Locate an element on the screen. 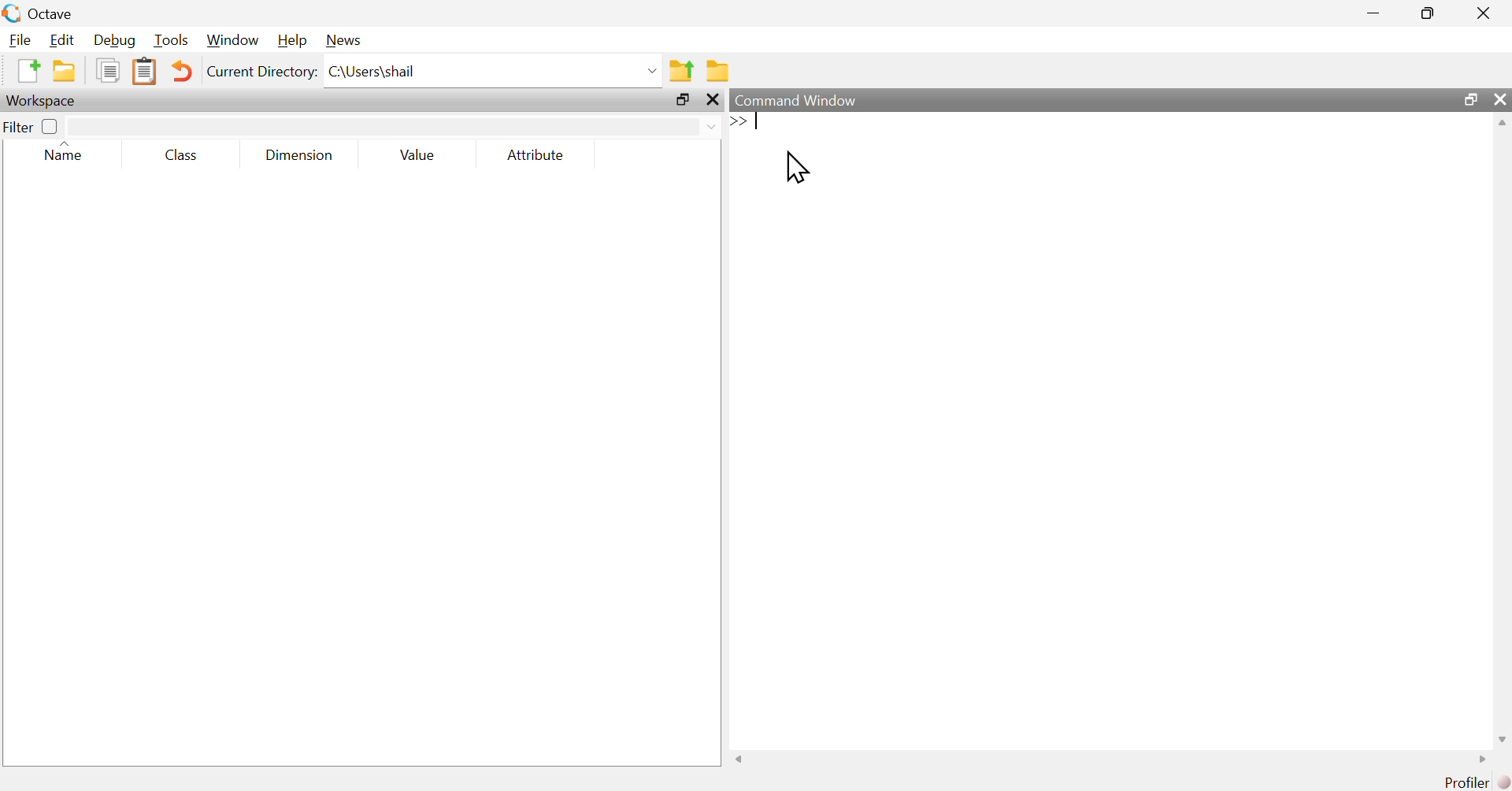 Image resolution: width=1512 pixels, height=791 pixels. maximize is located at coordinates (1429, 13).